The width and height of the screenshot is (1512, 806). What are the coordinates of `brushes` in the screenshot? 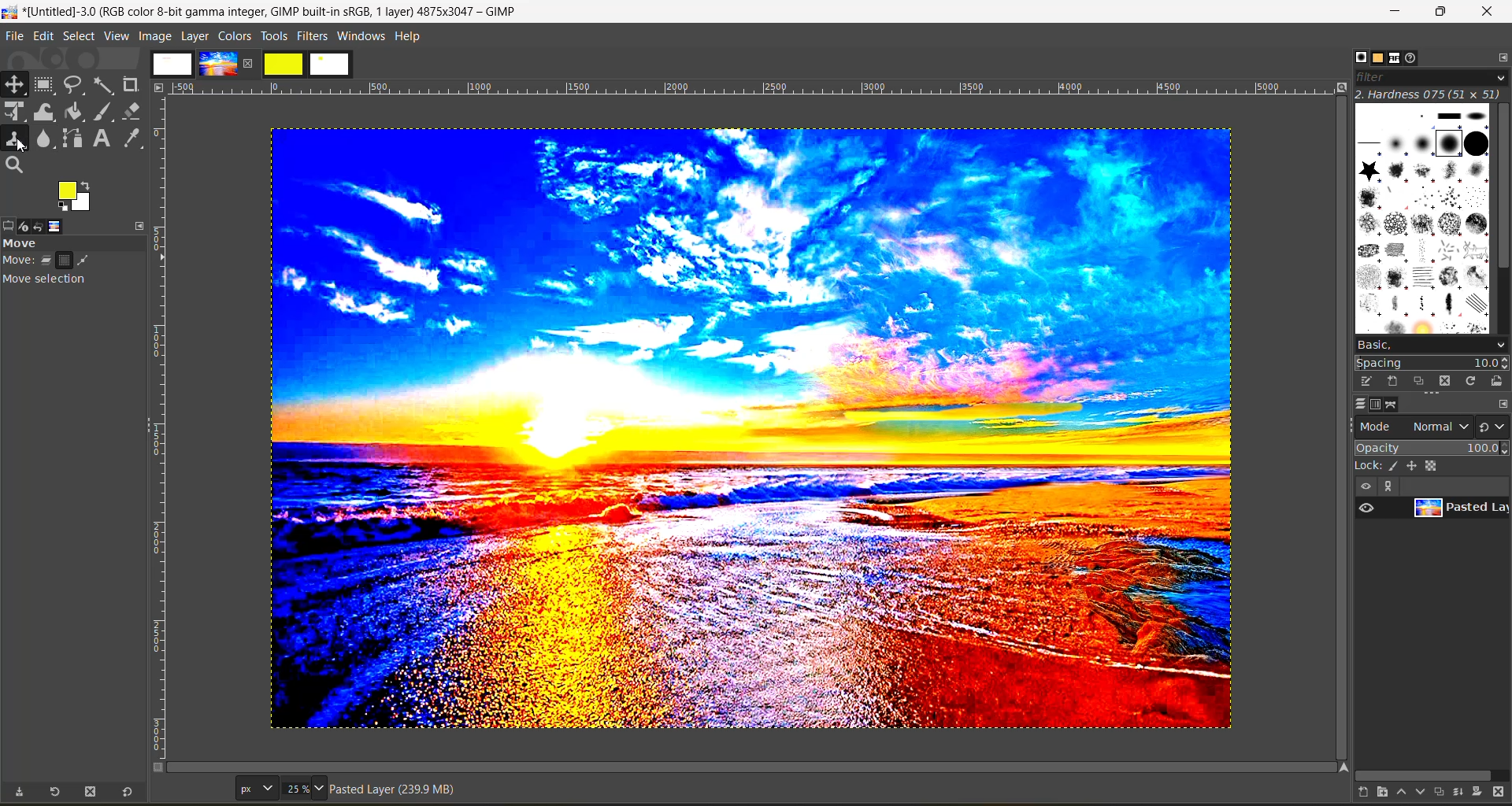 It's located at (1421, 217).